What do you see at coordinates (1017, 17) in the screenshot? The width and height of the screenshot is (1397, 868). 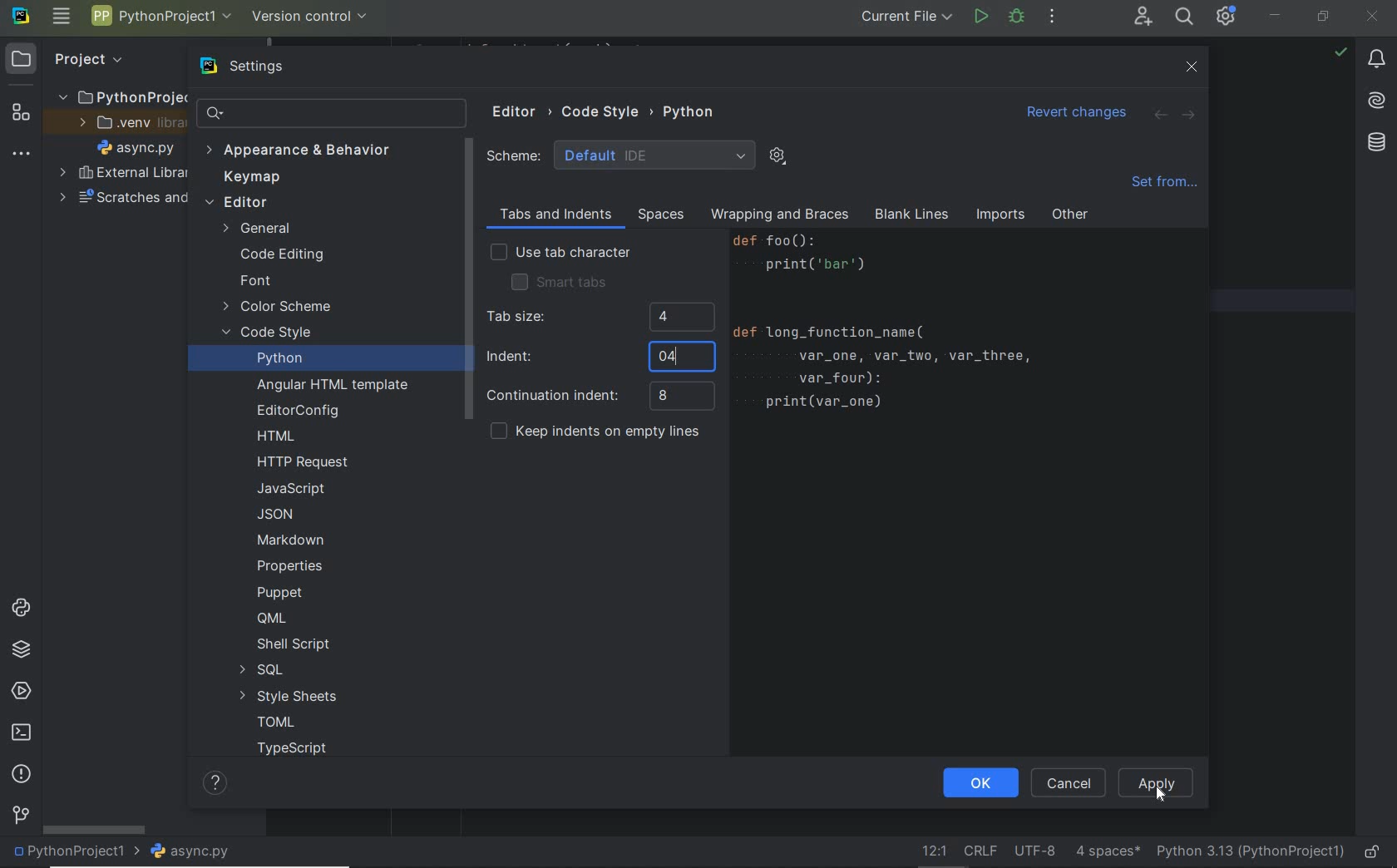 I see `debug` at bounding box center [1017, 17].